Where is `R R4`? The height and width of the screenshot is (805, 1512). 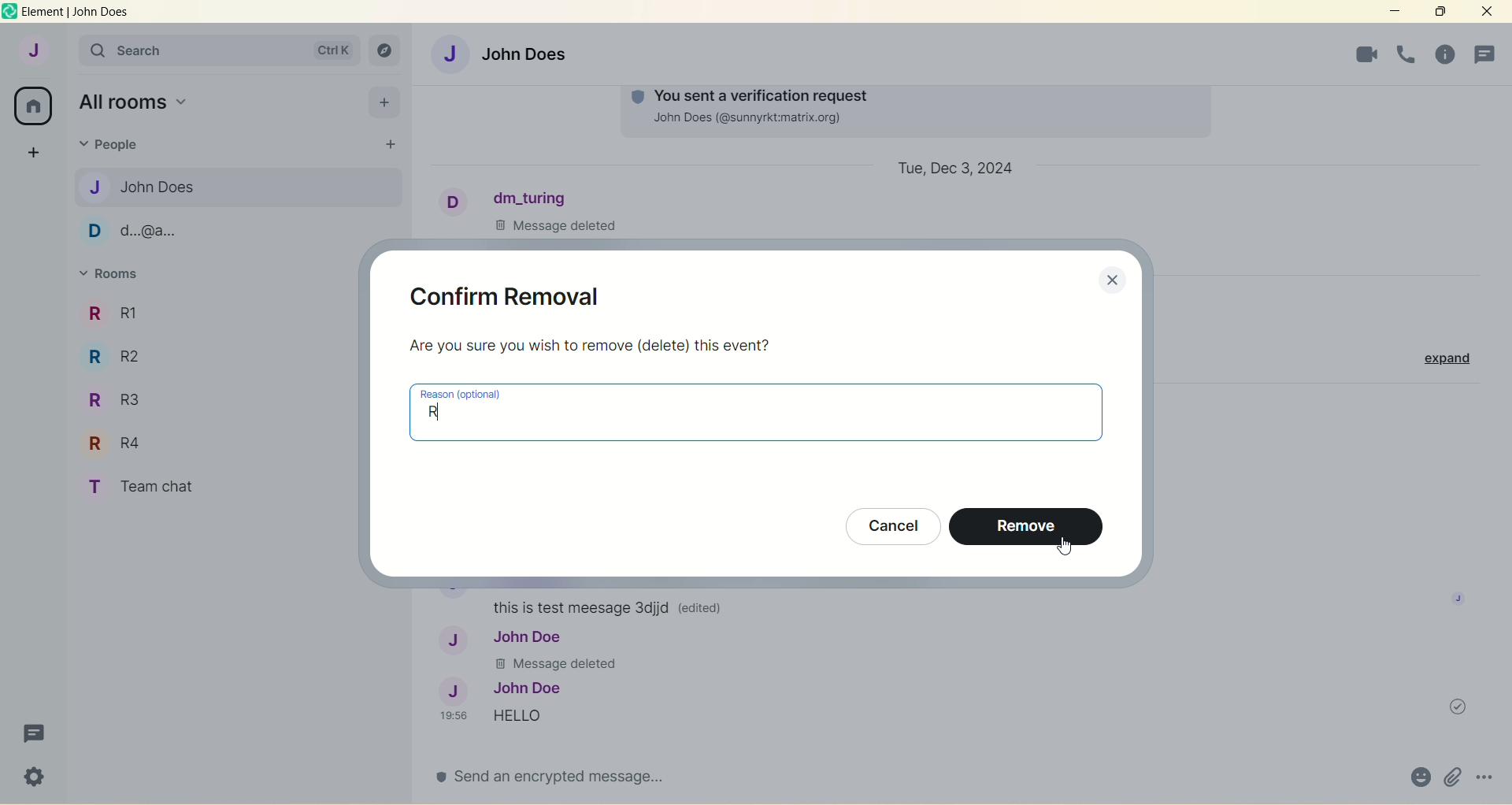
R R4 is located at coordinates (117, 443).